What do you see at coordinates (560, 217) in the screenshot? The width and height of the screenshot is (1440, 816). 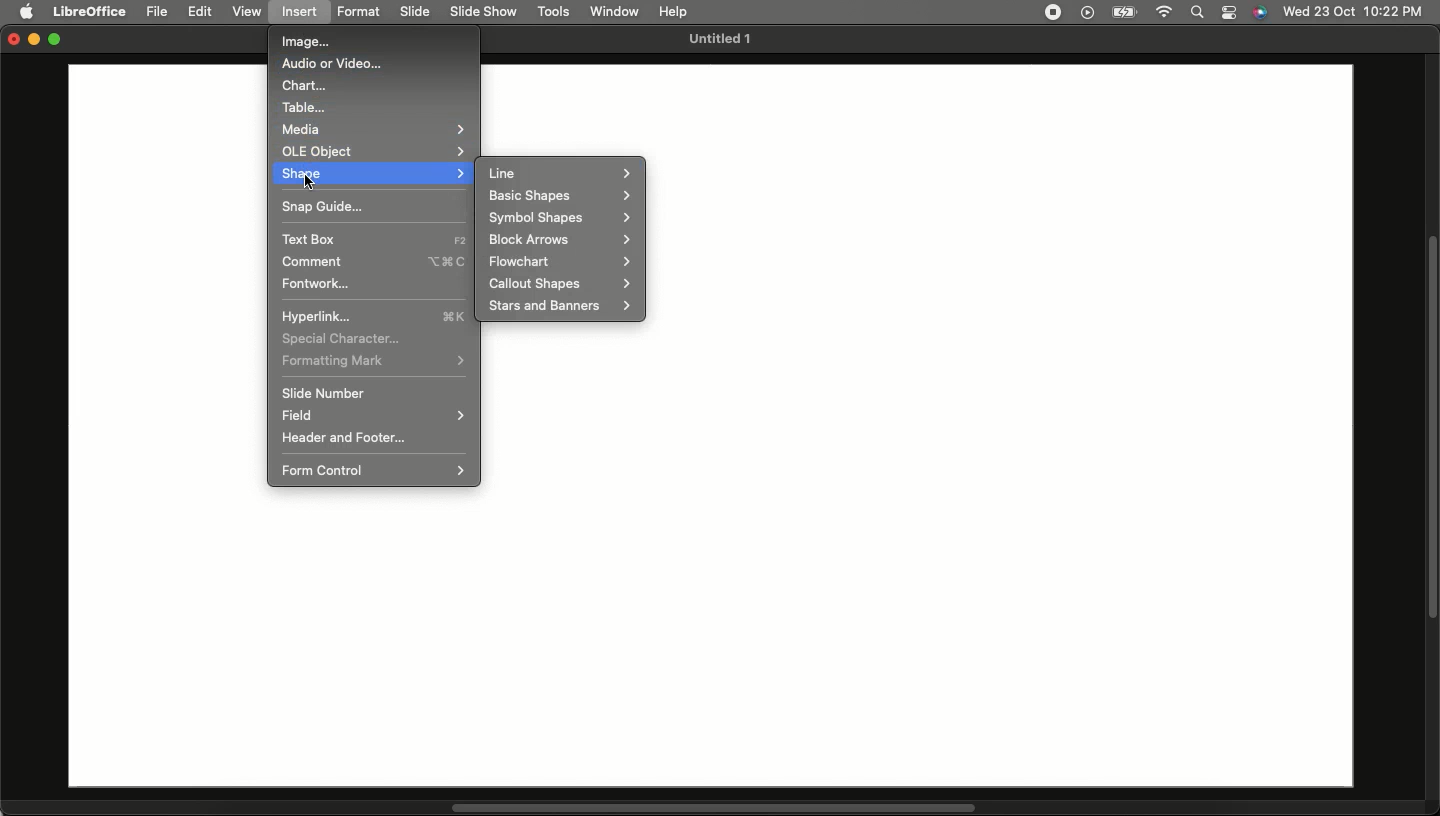 I see `Symbol shapes` at bounding box center [560, 217].